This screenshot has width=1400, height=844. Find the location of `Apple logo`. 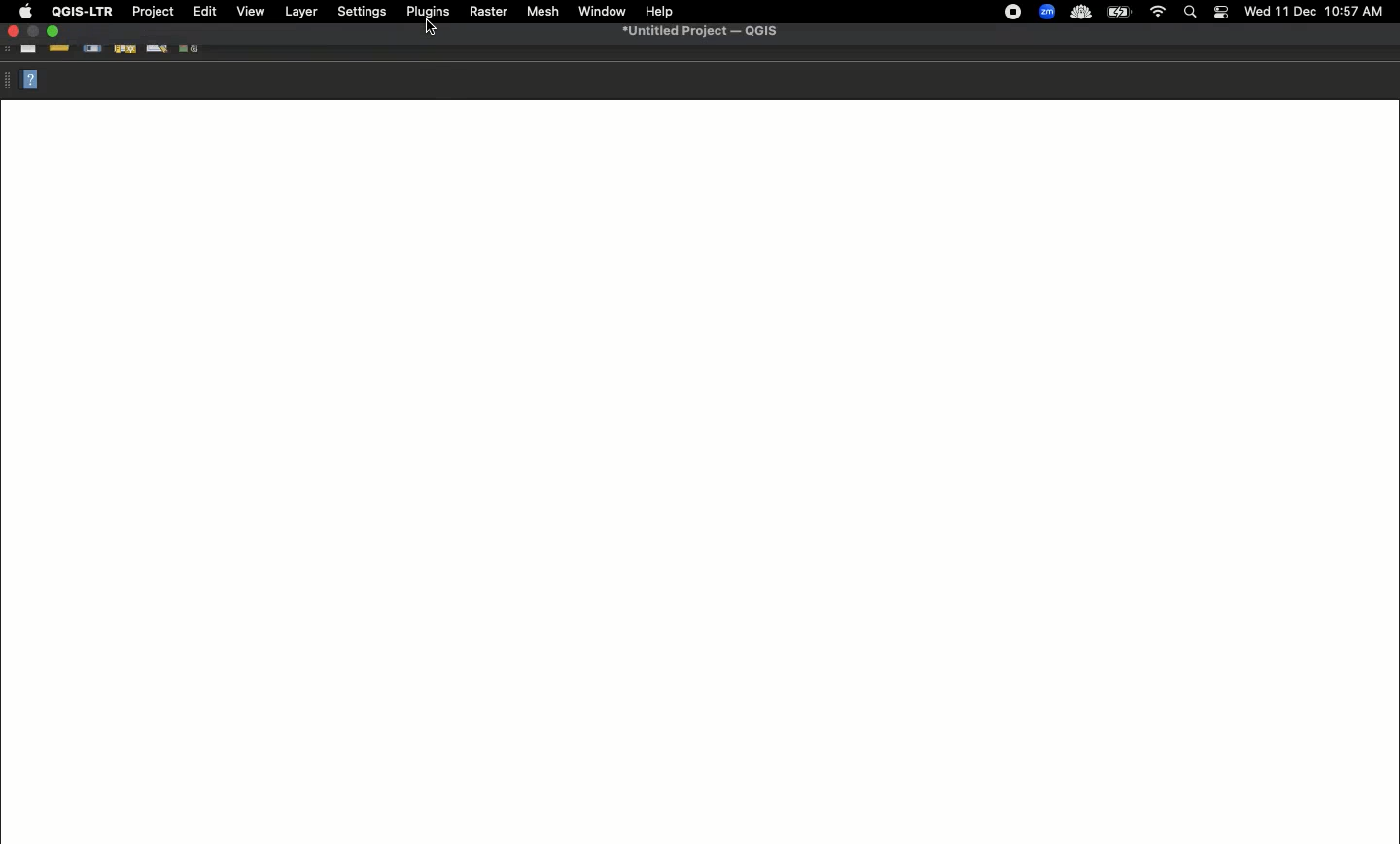

Apple logo is located at coordinates (25, 13).